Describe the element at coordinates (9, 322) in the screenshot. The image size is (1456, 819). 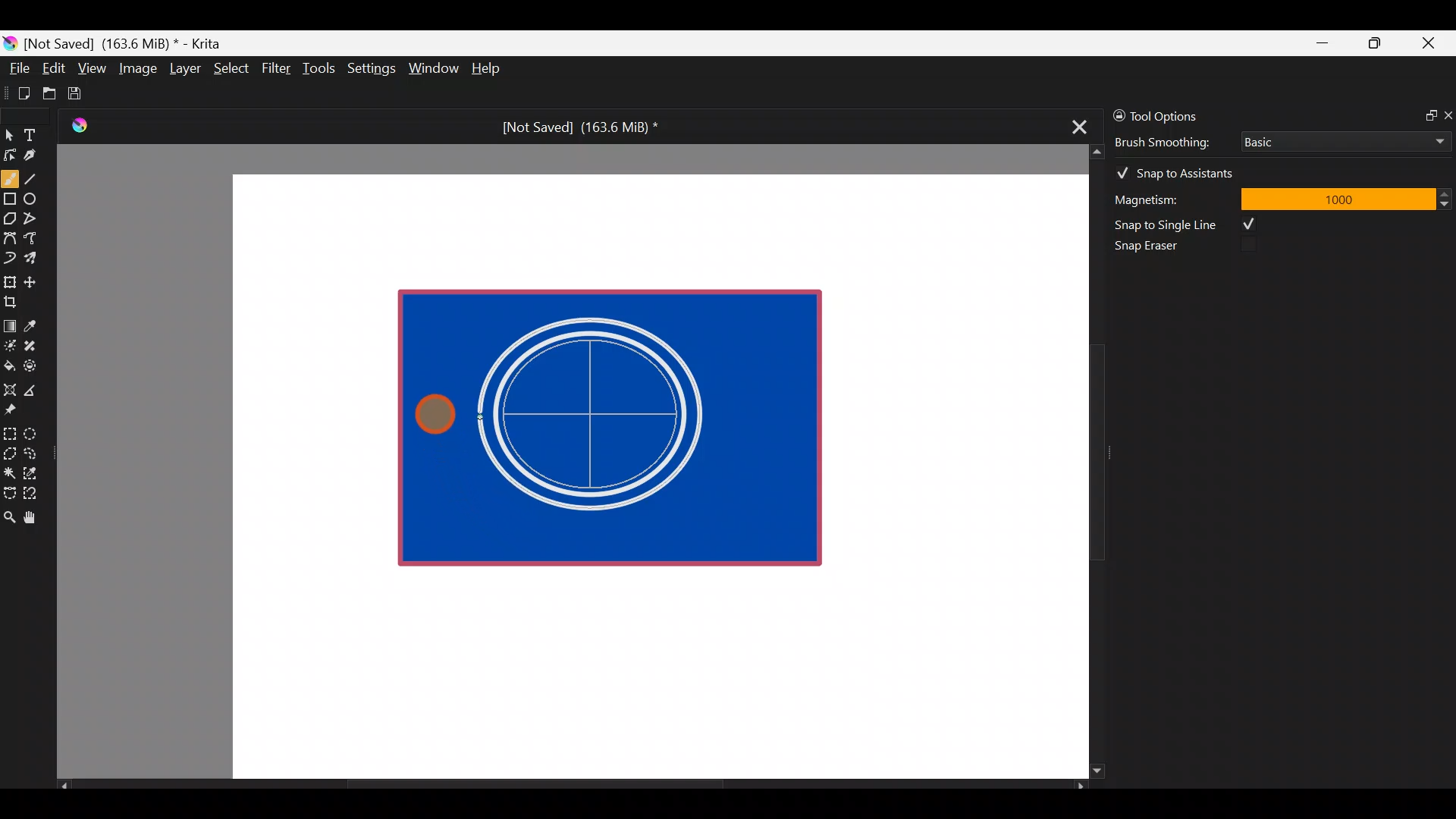
I see `Draw a gradient` at that location.